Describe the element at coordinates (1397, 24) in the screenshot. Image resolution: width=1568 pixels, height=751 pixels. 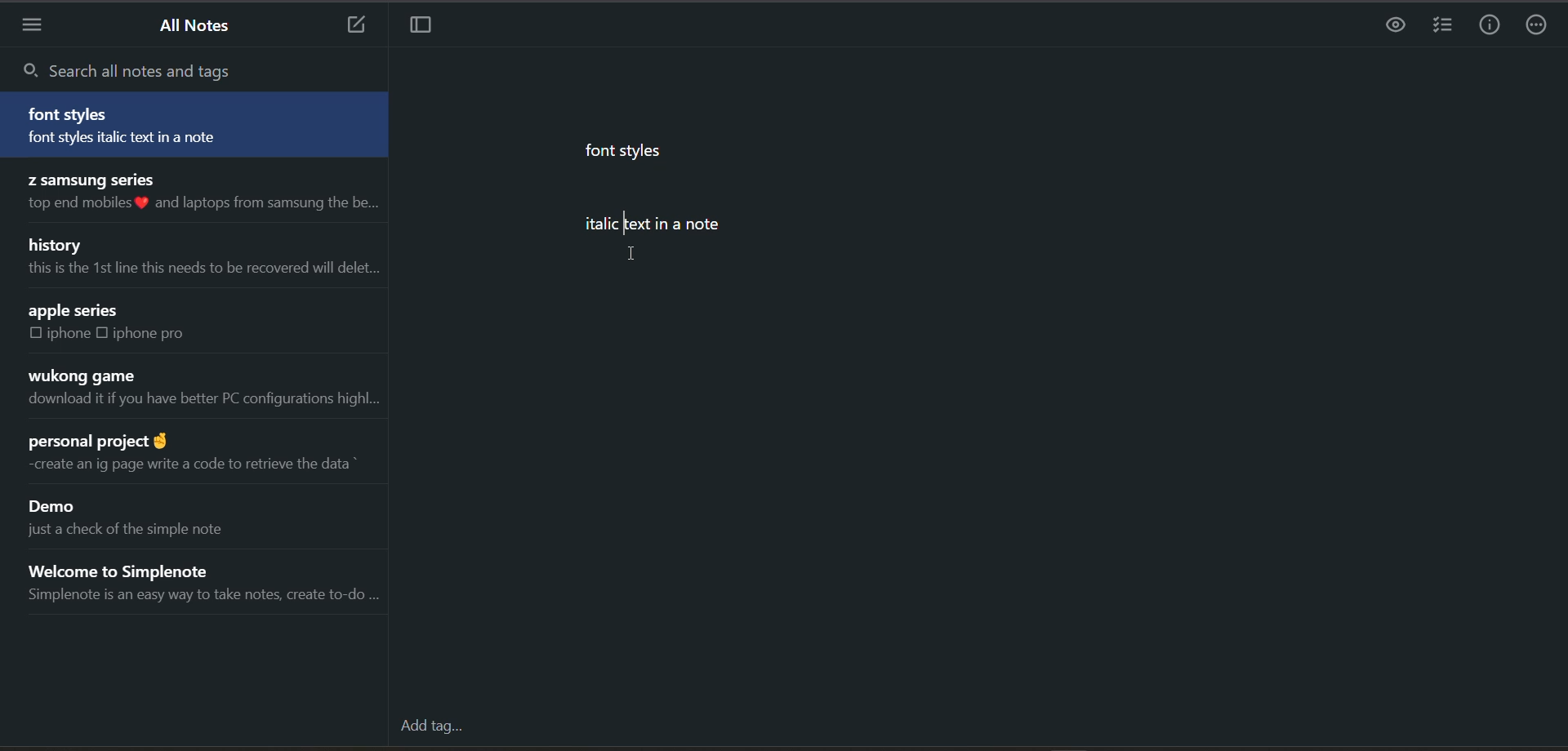
I see `preview` at that location.